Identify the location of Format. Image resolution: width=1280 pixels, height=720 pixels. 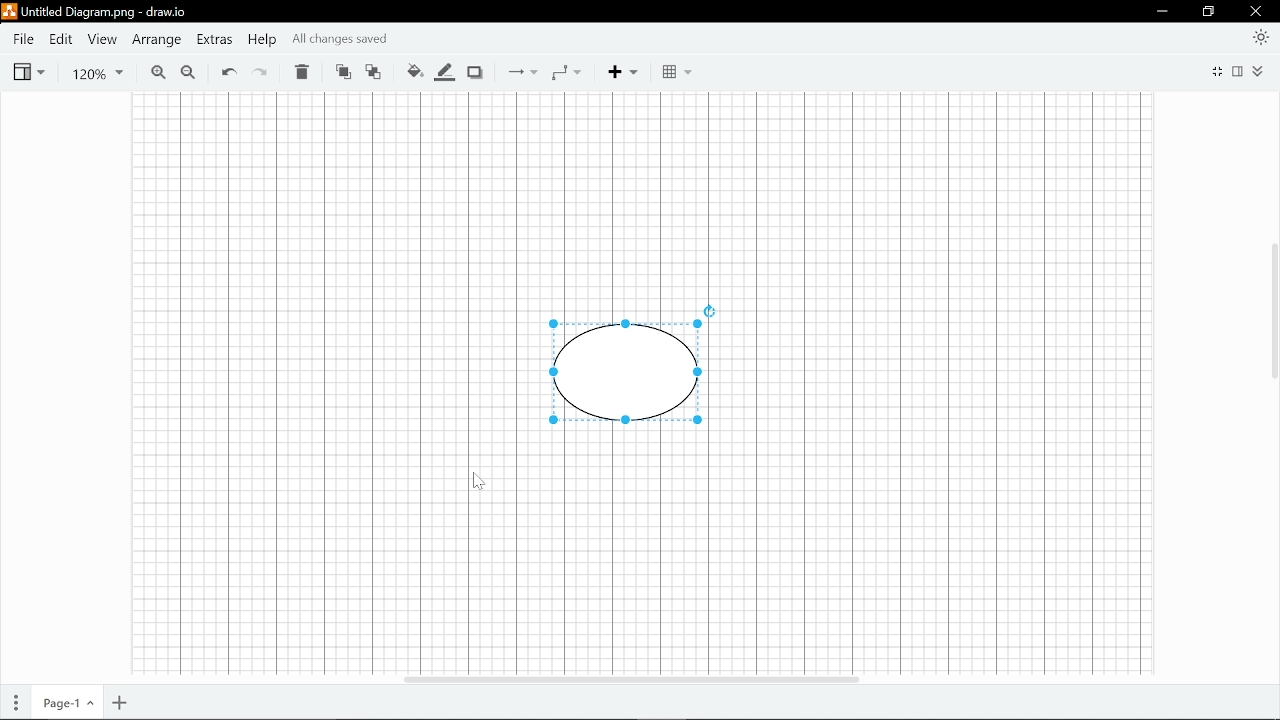
(1240, 72).